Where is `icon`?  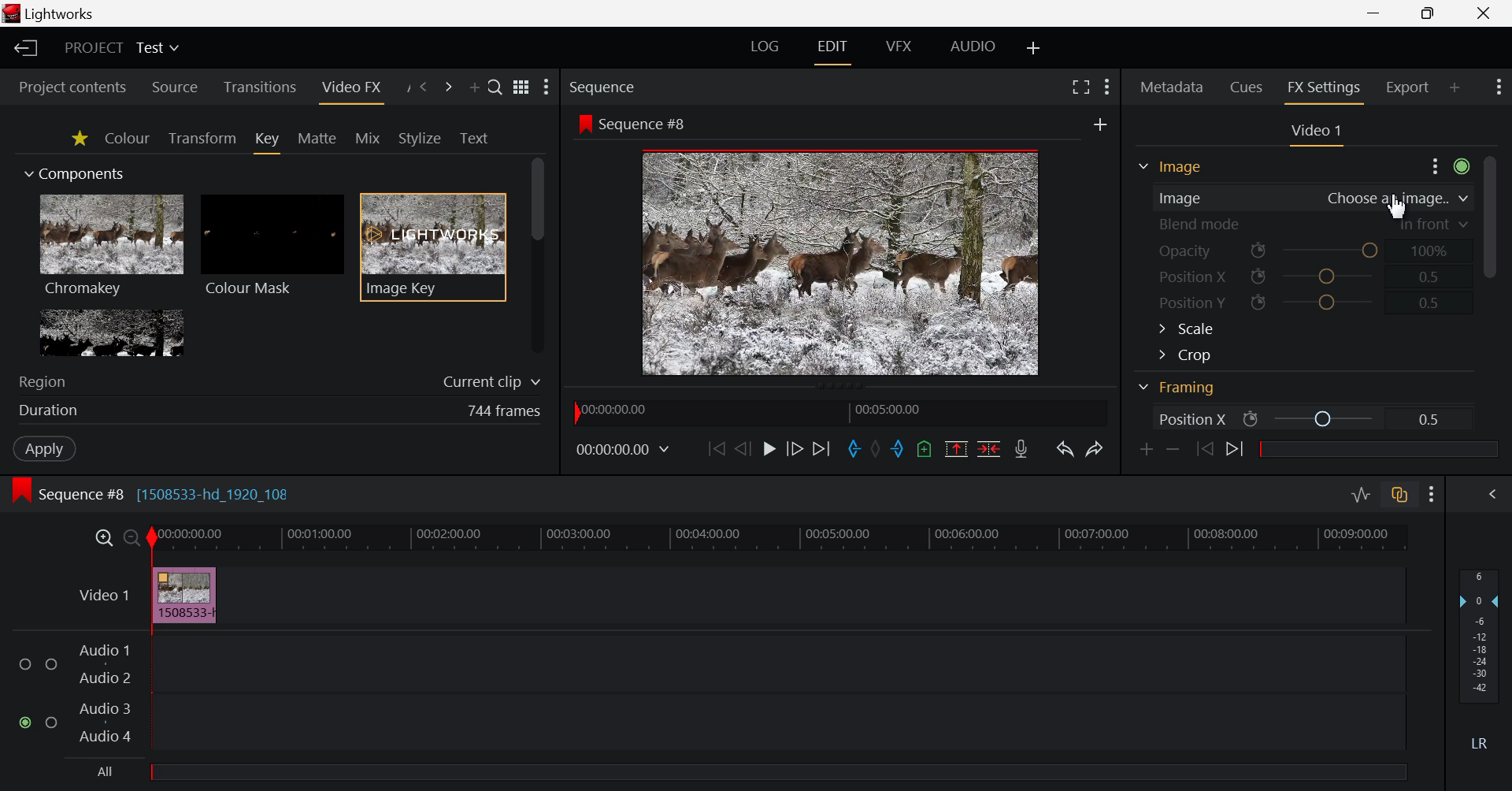 icon is located at coordinates (1251, 418).